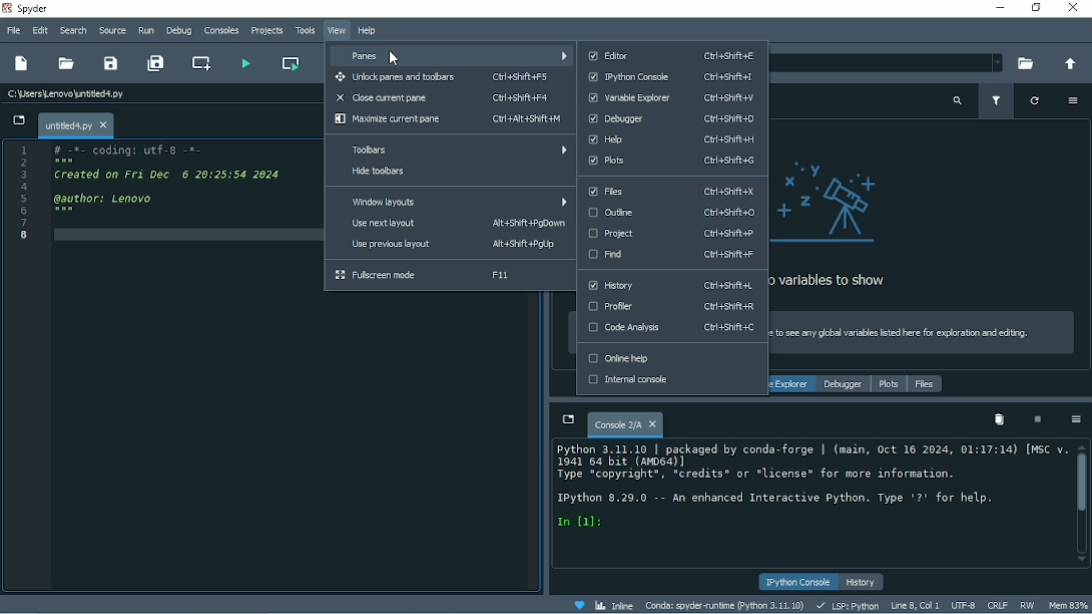 The image size is (1092, 614). Describe the element at coordinates (159, 63) in the screenshot. I see `Save all files` at that location.